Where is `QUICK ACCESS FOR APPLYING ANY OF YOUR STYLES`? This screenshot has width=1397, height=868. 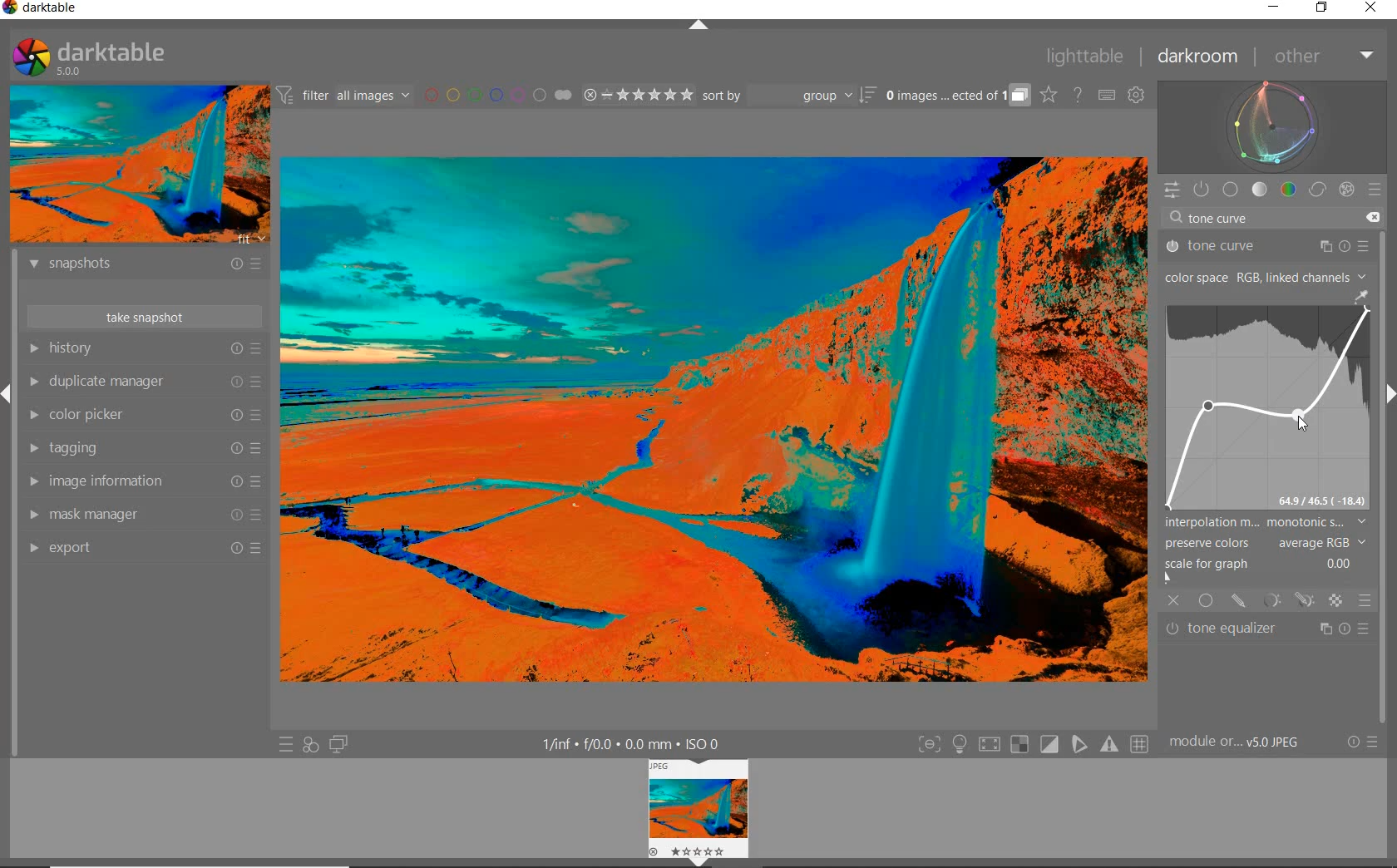 QUICK ACCESS FOR APPLYING ANY OF YOUR STYLES is located at coordinates (309, 746).